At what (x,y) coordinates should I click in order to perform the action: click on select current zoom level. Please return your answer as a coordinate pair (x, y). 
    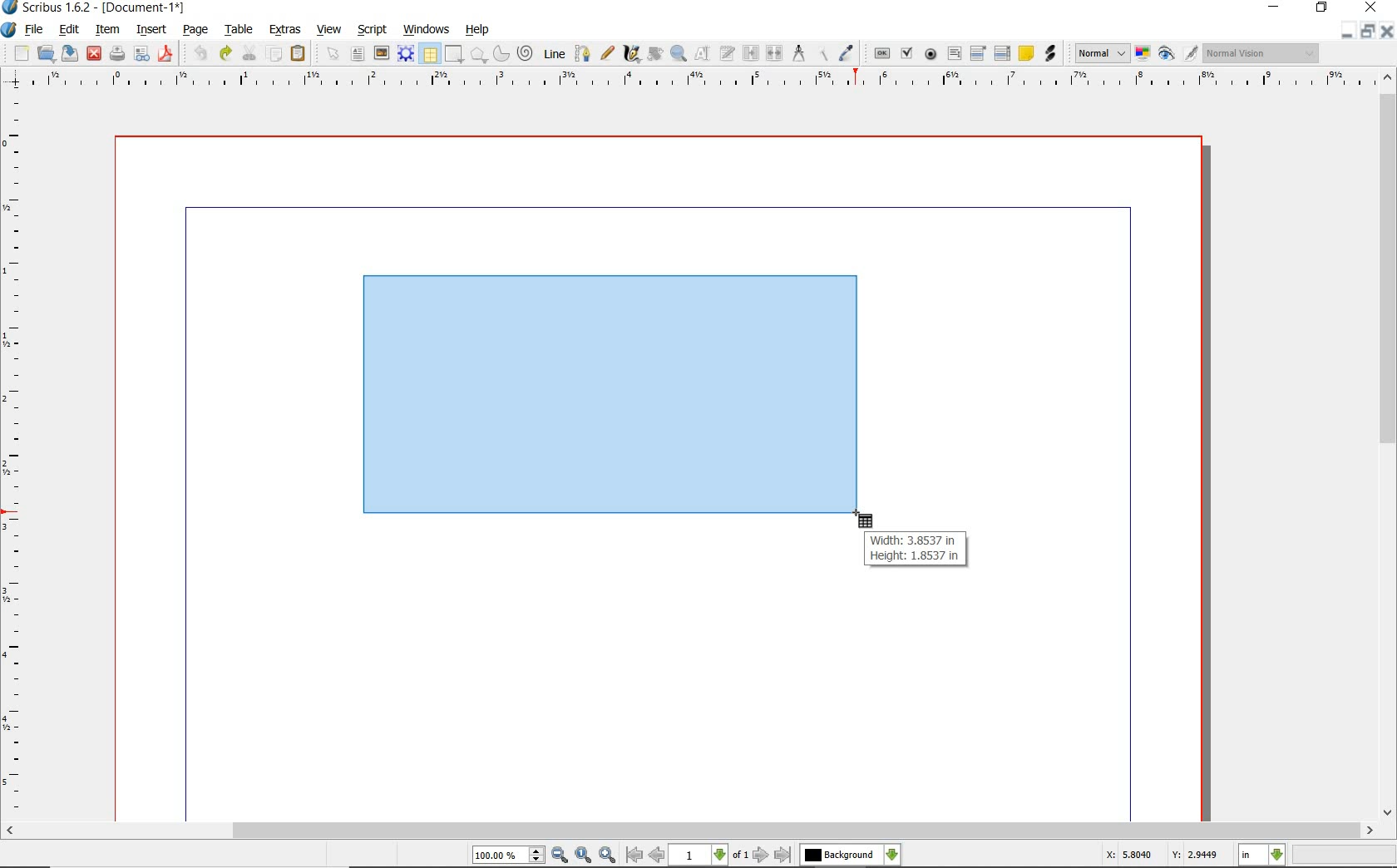
    Looking at the image, I should click on (508, 856).